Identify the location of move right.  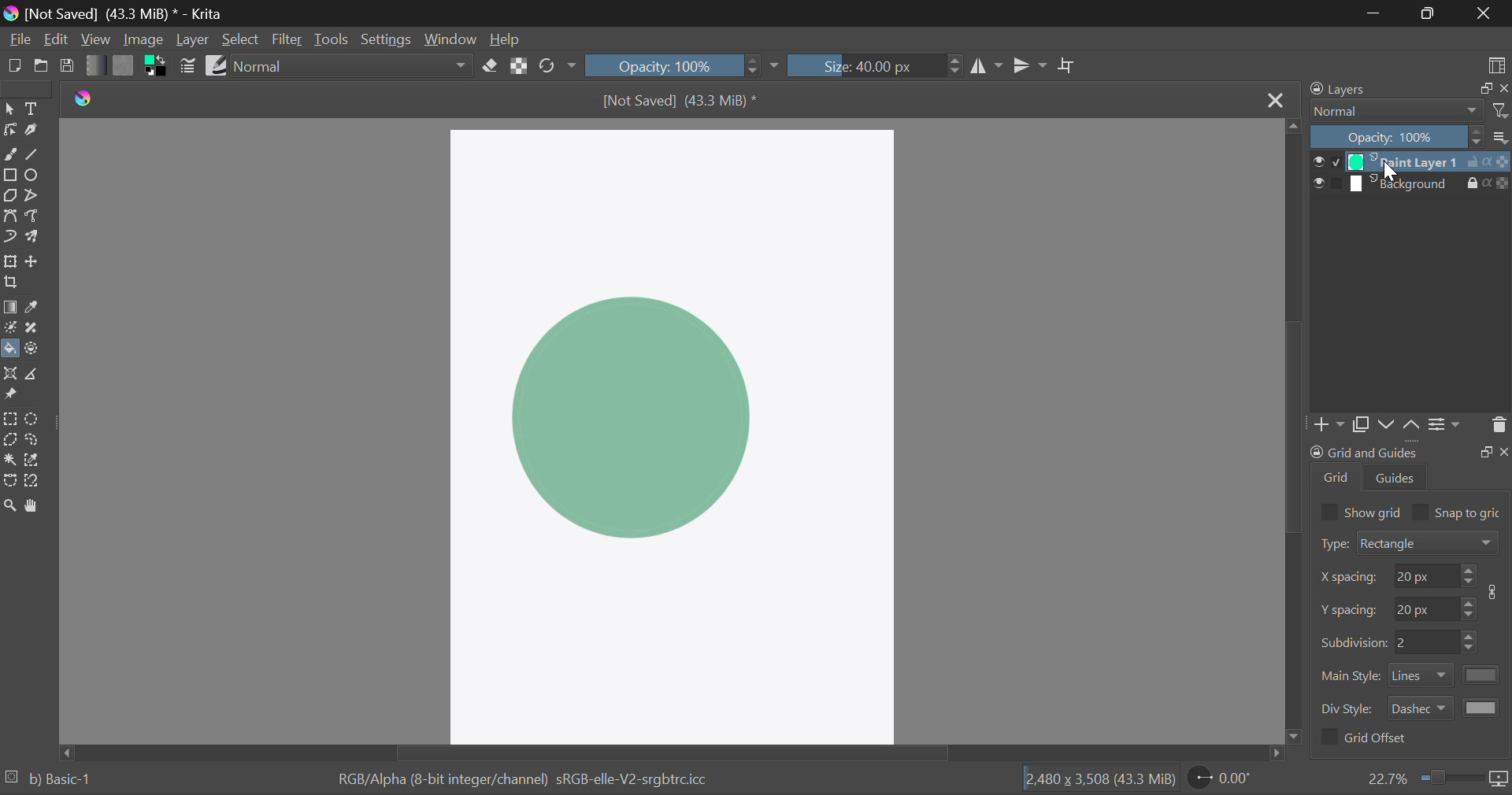
(1276, 753).